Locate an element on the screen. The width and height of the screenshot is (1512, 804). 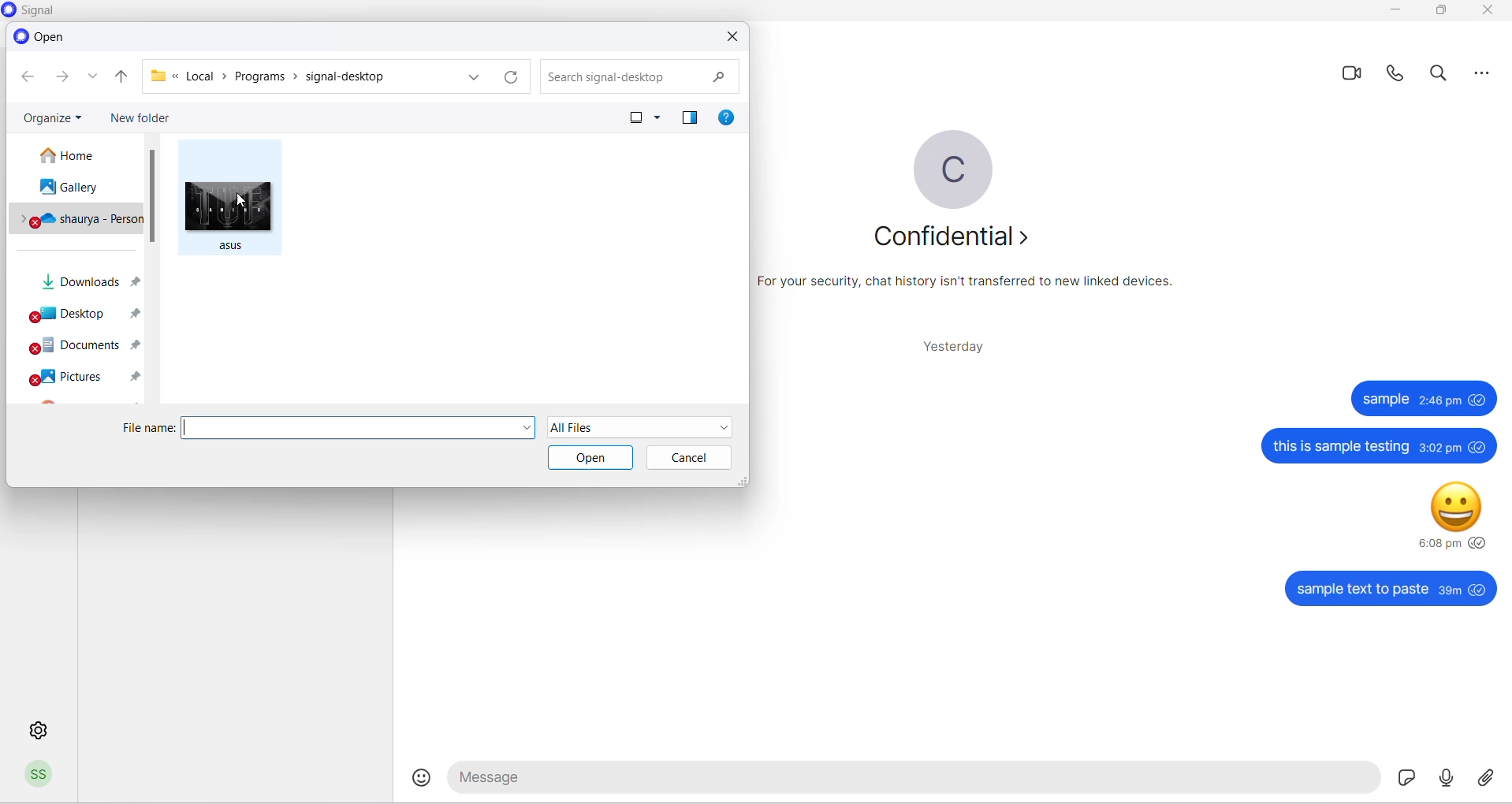
this is sample testing is located at coordinates (1341, 447).